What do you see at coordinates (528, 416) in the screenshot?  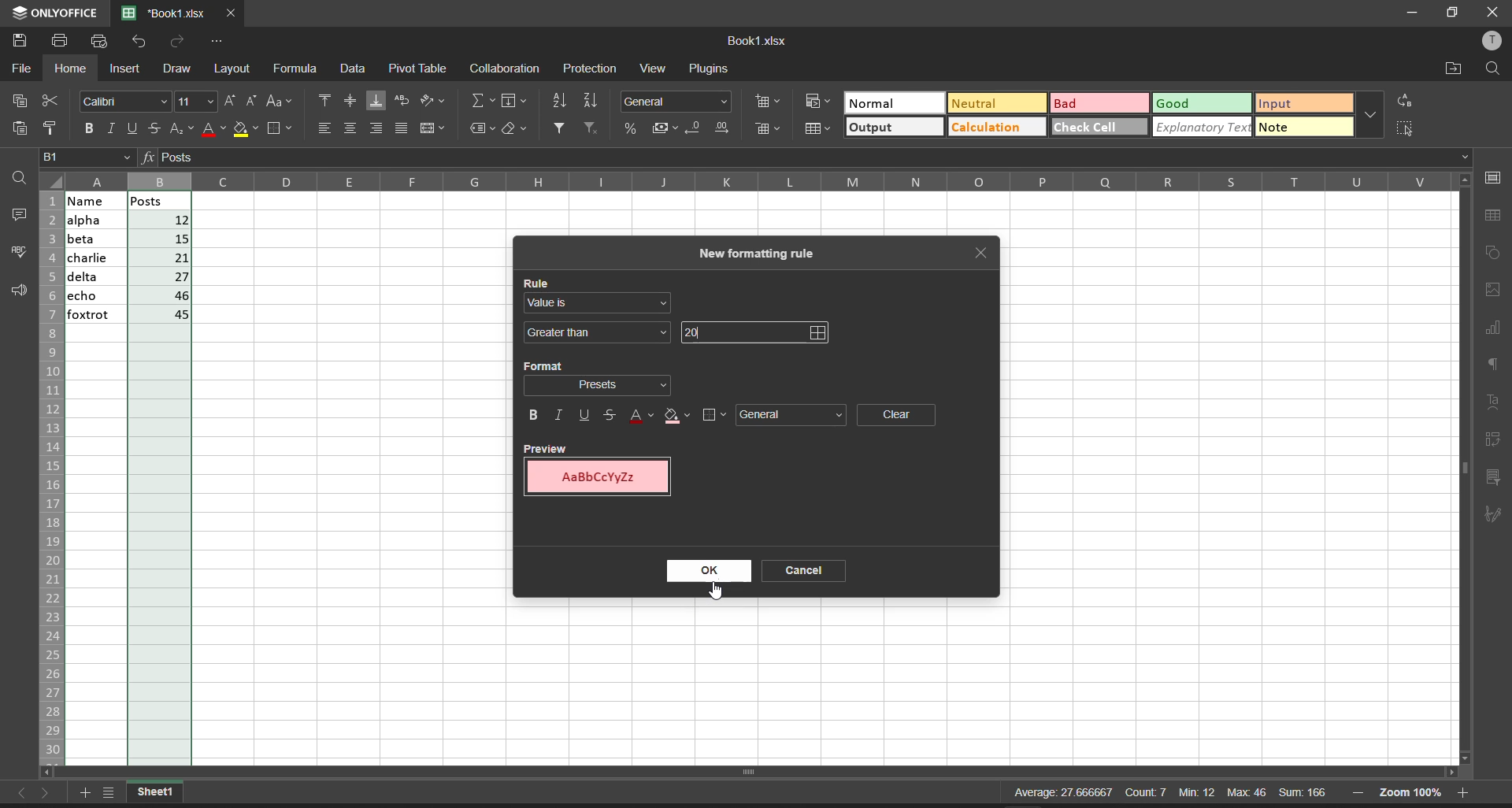 I see `bold` at bounding box center [528, 416].